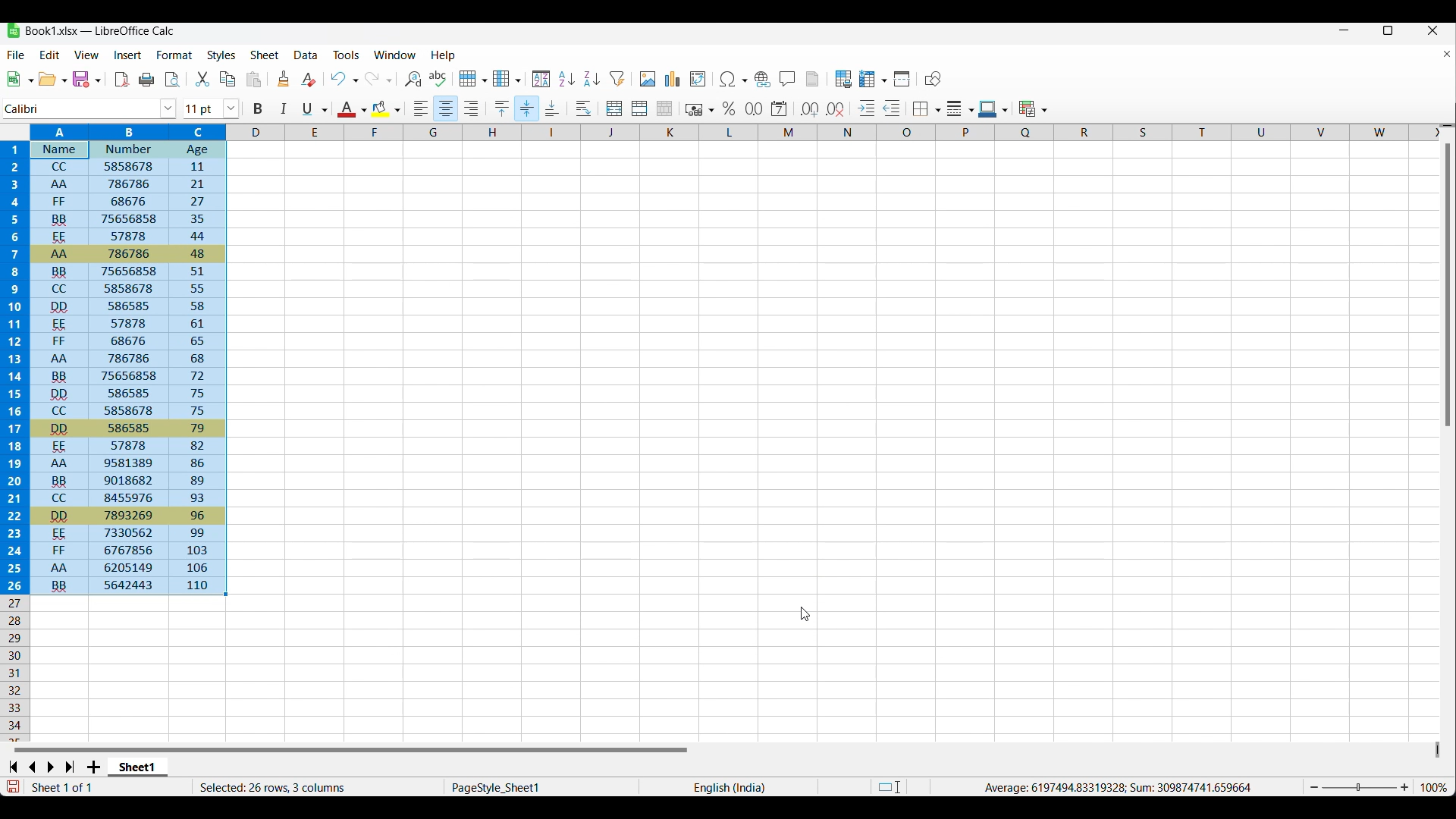 The height and width of the screenshot is (819, 1456). Describe the element at coordinates (81, 109) in the screenshot. I see `Input font` at that location.